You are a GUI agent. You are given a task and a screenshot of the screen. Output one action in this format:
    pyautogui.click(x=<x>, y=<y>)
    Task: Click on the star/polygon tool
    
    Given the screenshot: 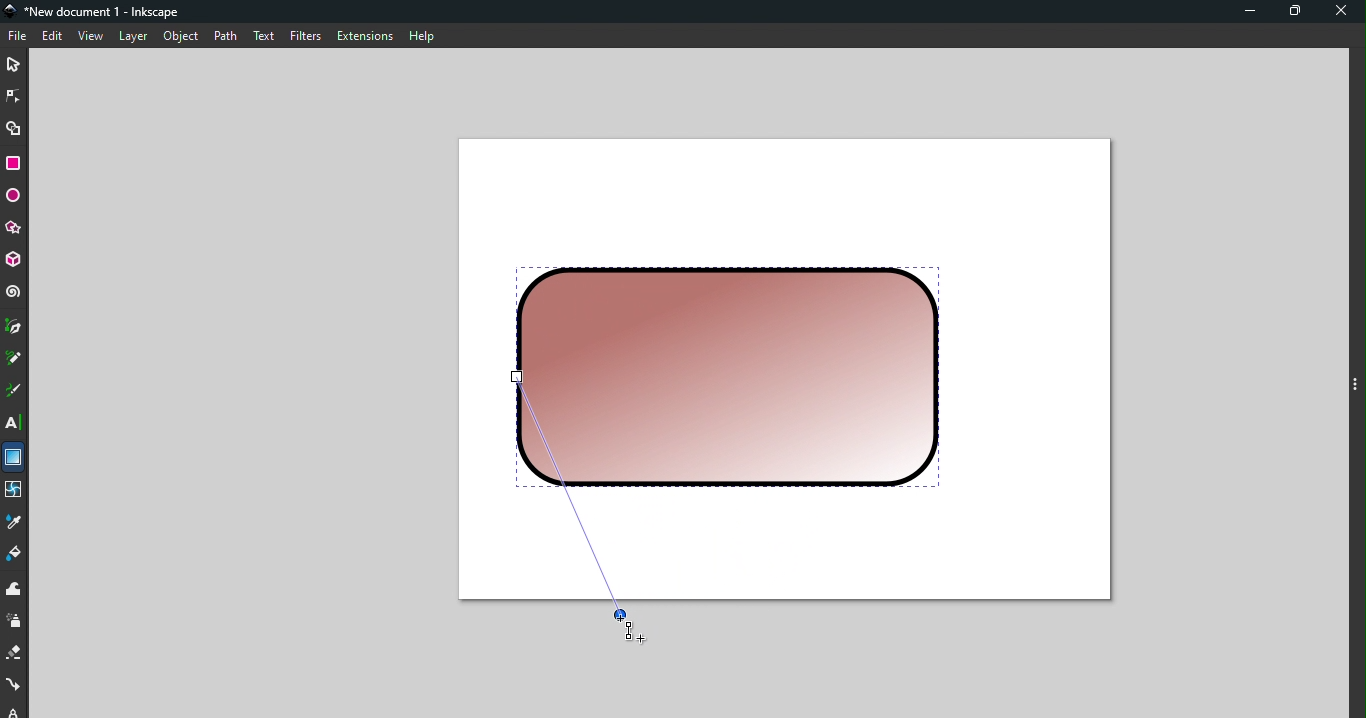 What is the action you would take?
    pyautogui.click(x=14, y=227)
    